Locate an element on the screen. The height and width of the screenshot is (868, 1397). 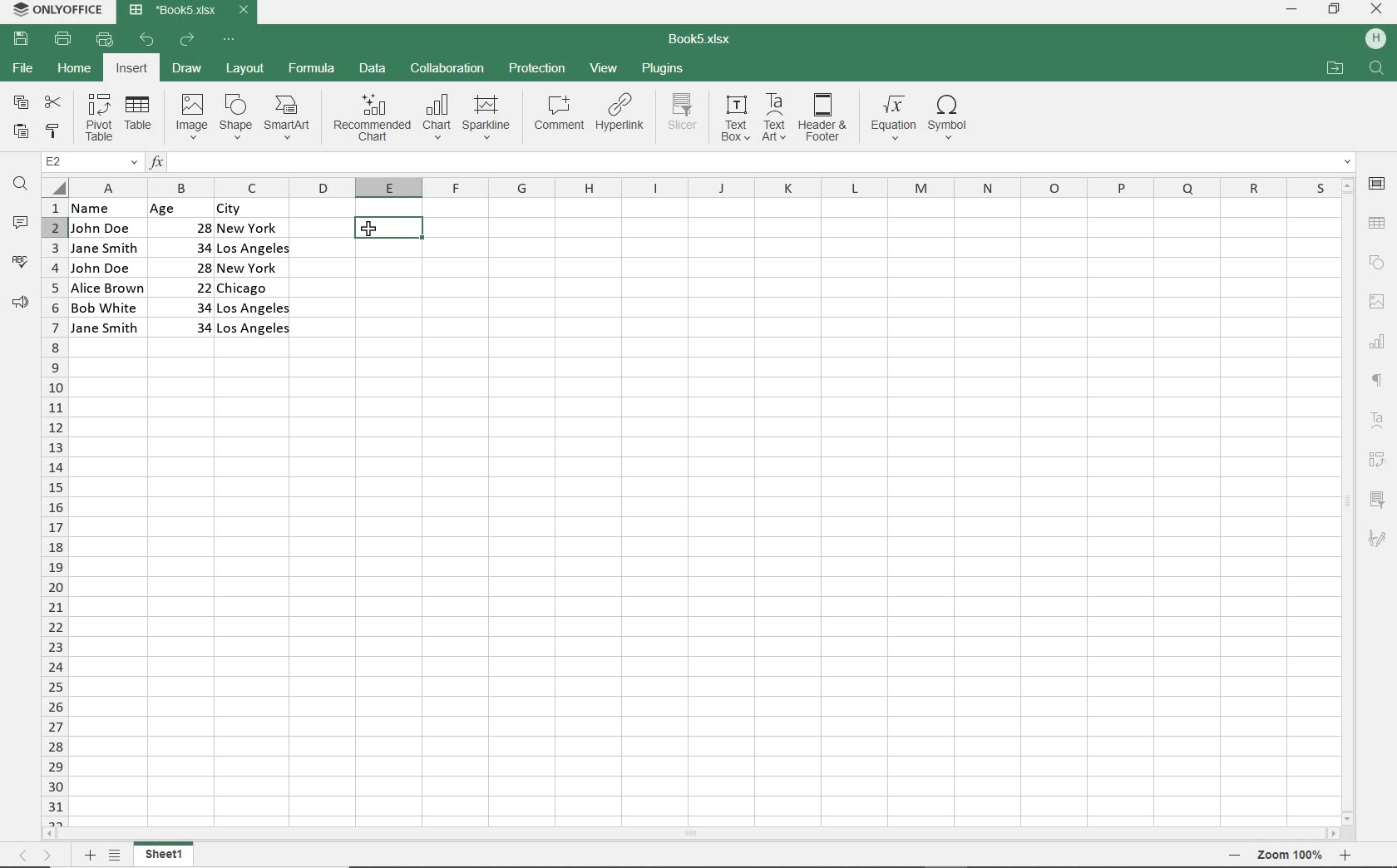
Age is located at coordinates (180, 209).